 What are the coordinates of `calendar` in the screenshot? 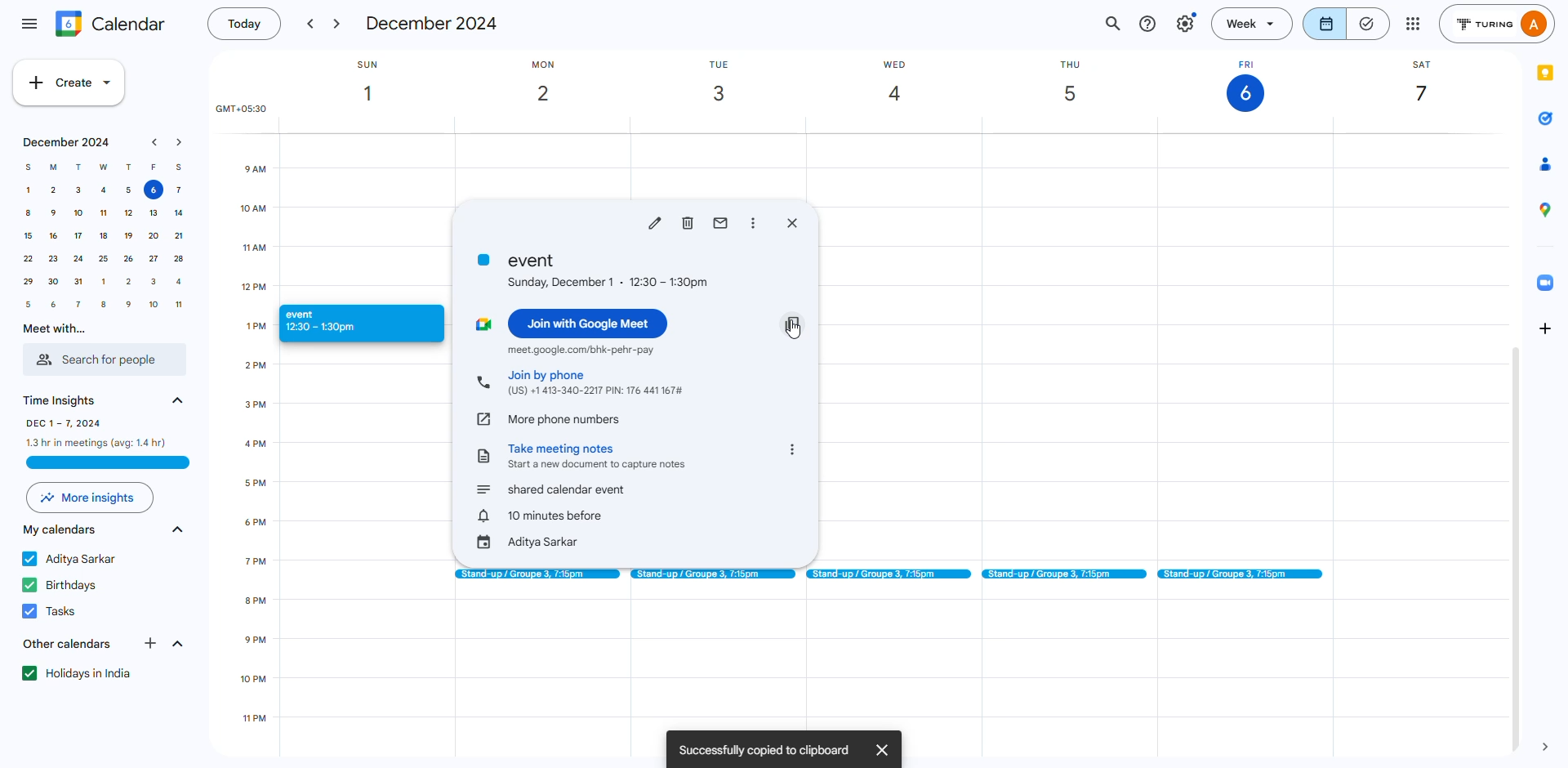 It's located at (111, 24).